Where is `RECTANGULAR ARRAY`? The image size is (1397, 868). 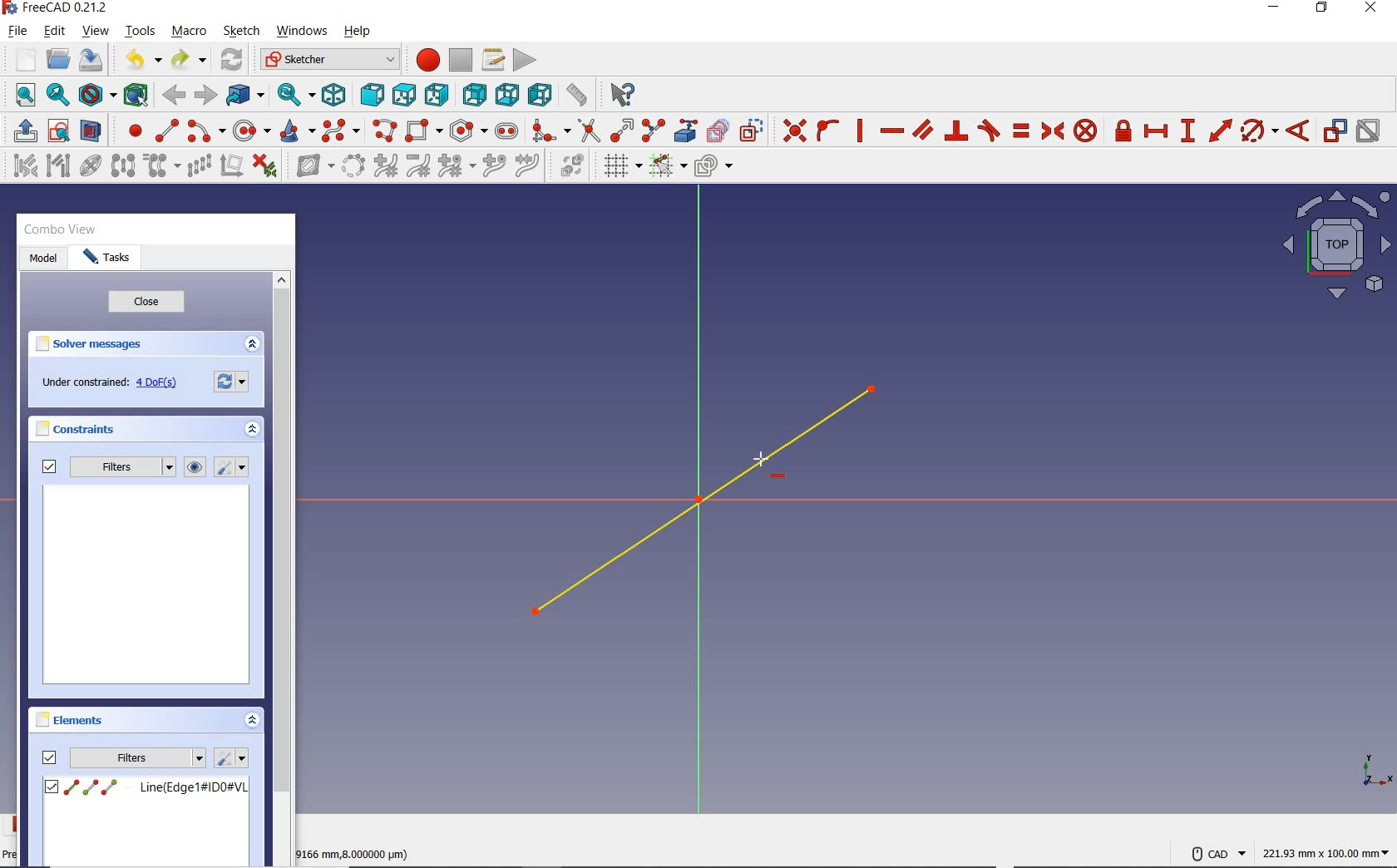 RECTANGULAR ARRAY is located at coordinates (199, 165).